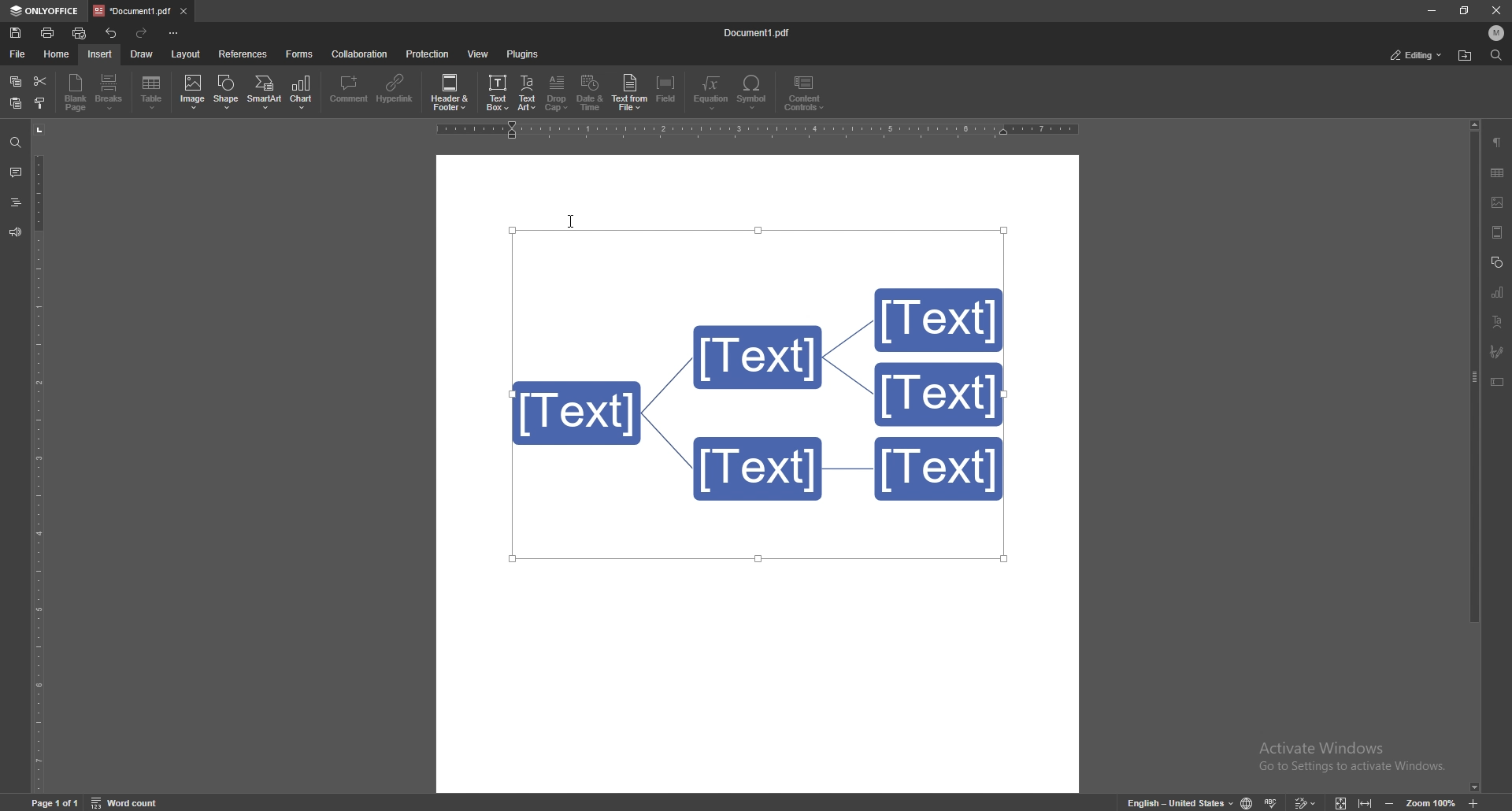 The image size is (1512, 811). I want to click on options, so click(176, 32).